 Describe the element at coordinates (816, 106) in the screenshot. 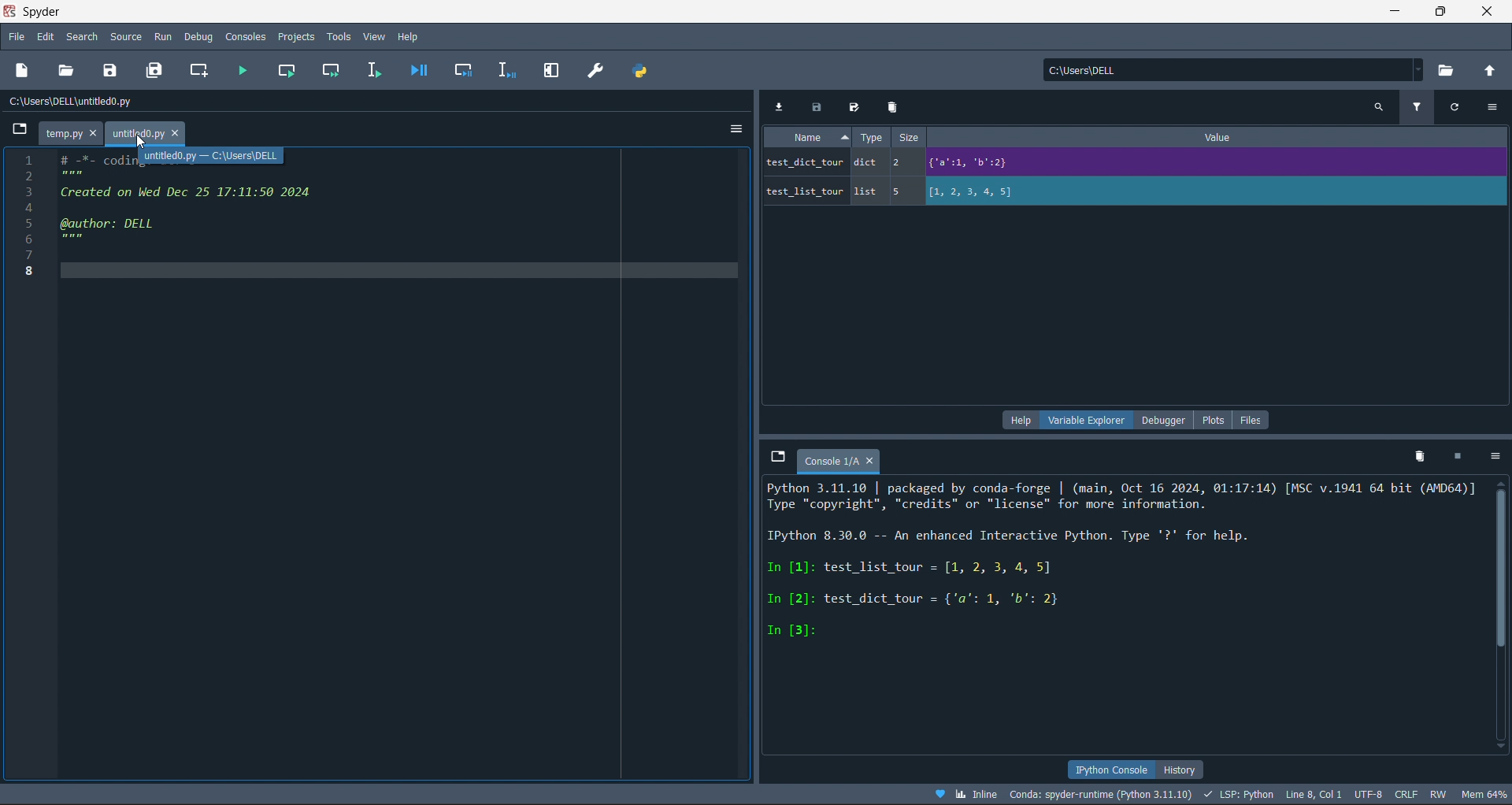

I see `save` at that location.